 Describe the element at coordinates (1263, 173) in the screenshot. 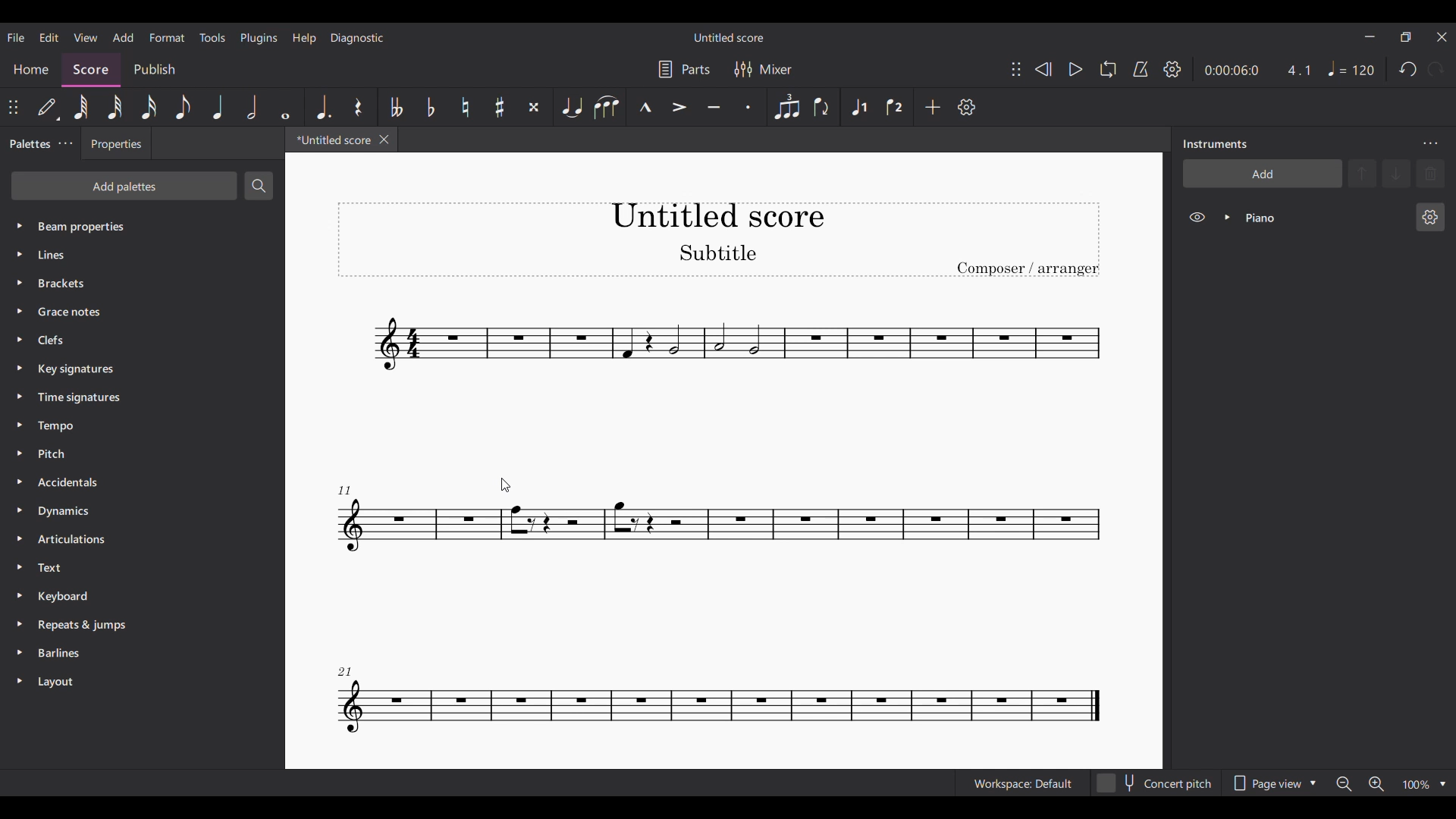

I see `Add instrument` at that location.